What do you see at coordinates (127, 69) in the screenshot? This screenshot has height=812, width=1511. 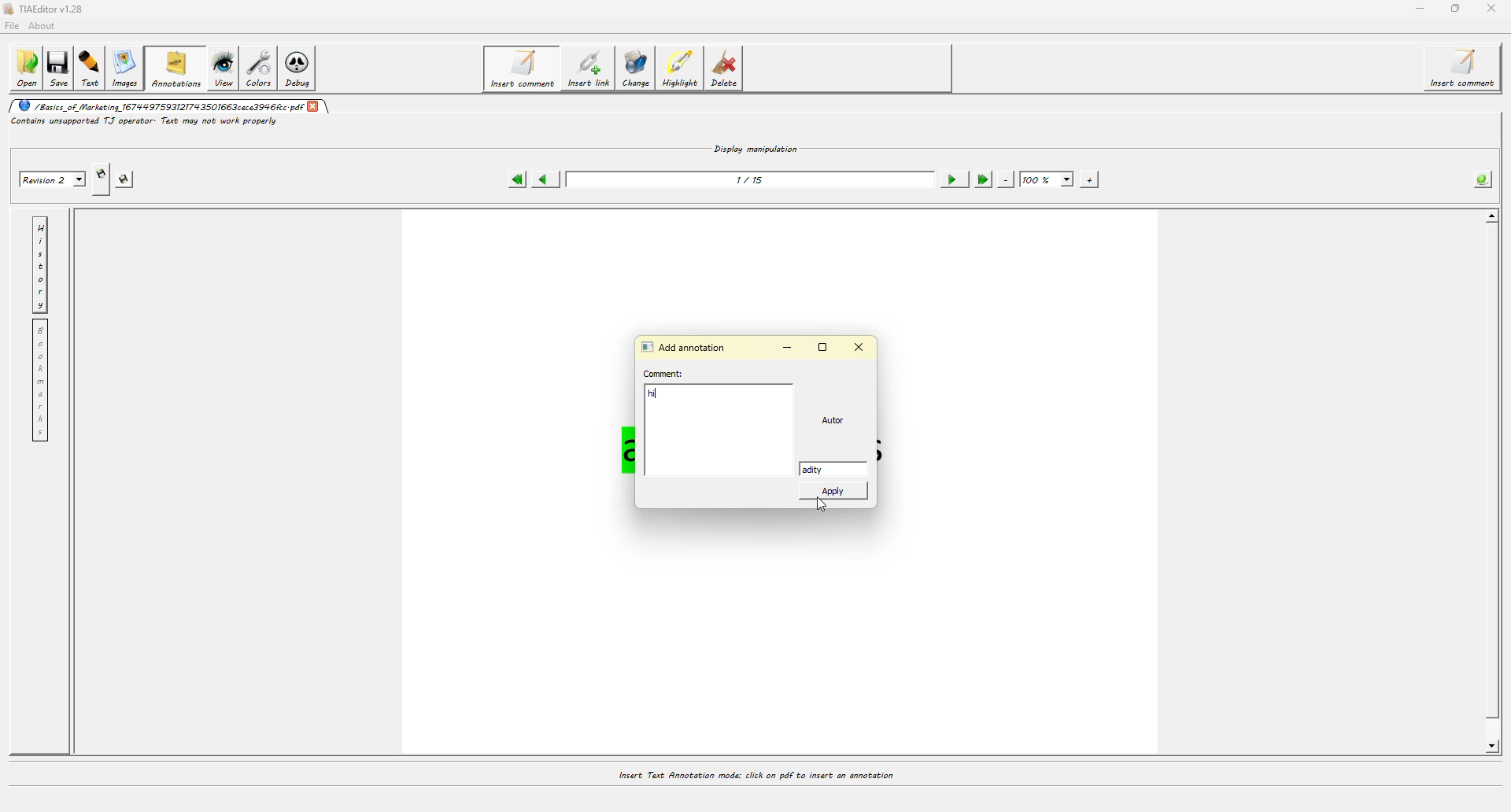 I see `images` at bounding box center [127, 69].